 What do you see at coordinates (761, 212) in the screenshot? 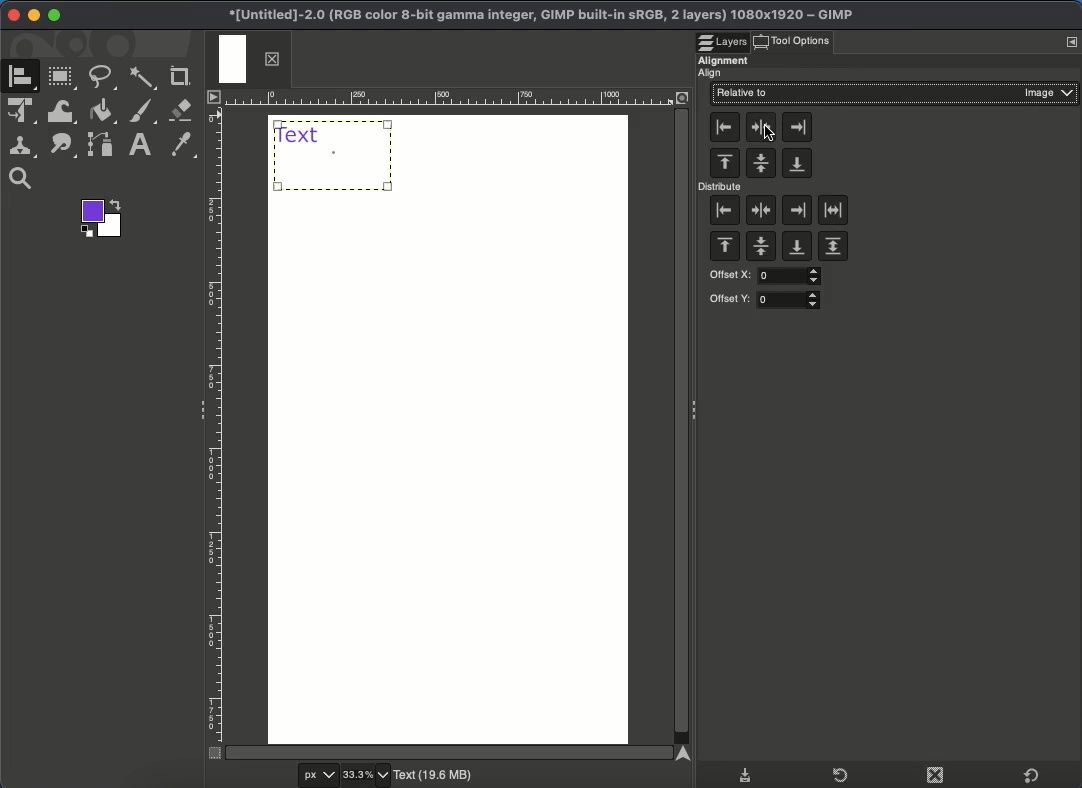
I see `Distribute horizontal centers` at bounding box center [761, 212].